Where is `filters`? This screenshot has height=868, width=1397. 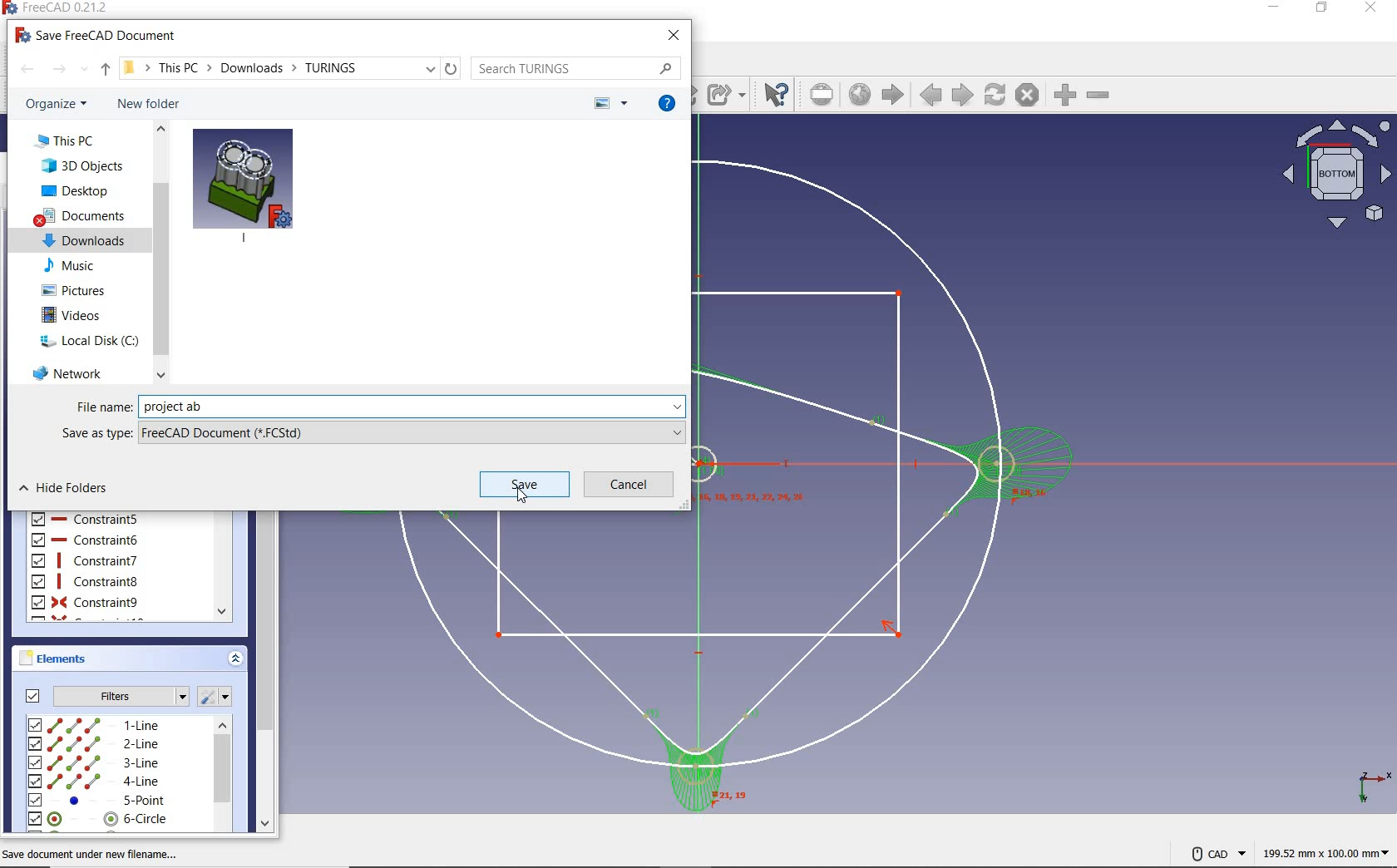
filters is located at coordinates (101, 695).